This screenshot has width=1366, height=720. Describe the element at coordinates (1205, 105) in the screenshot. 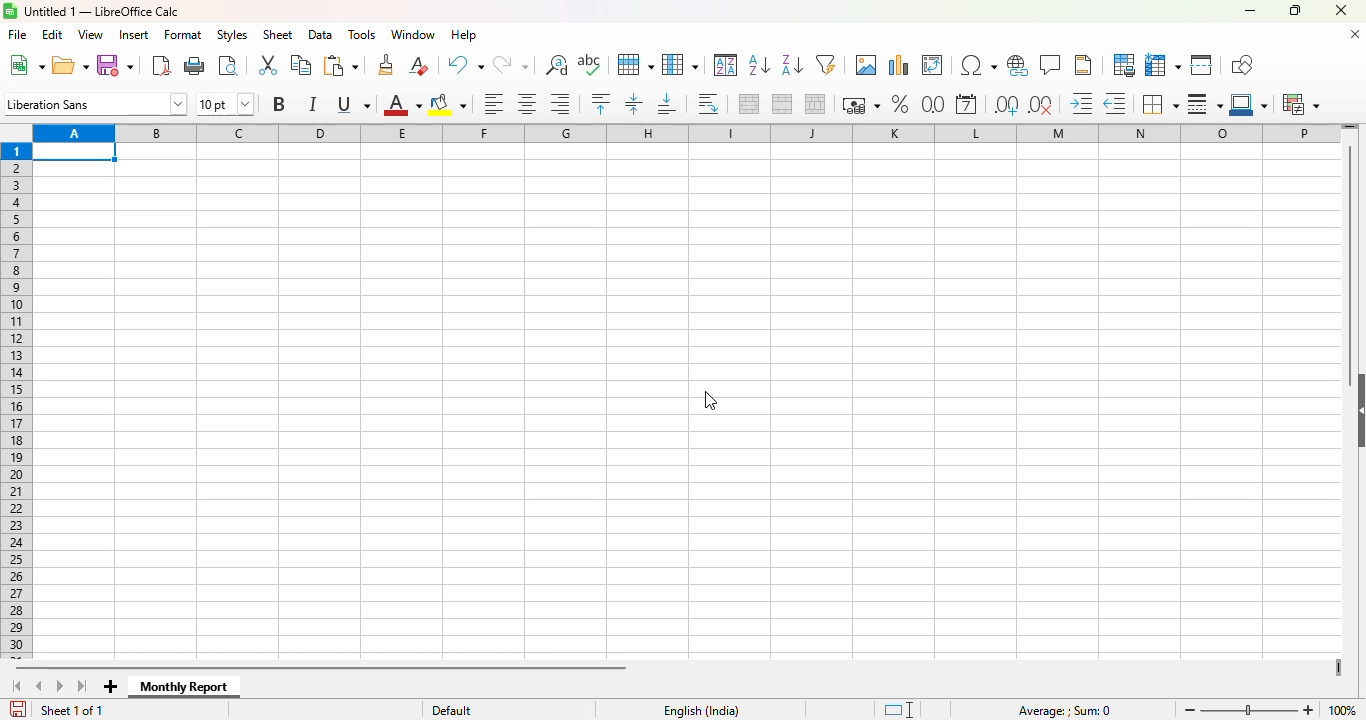

I see `border style` at that location.